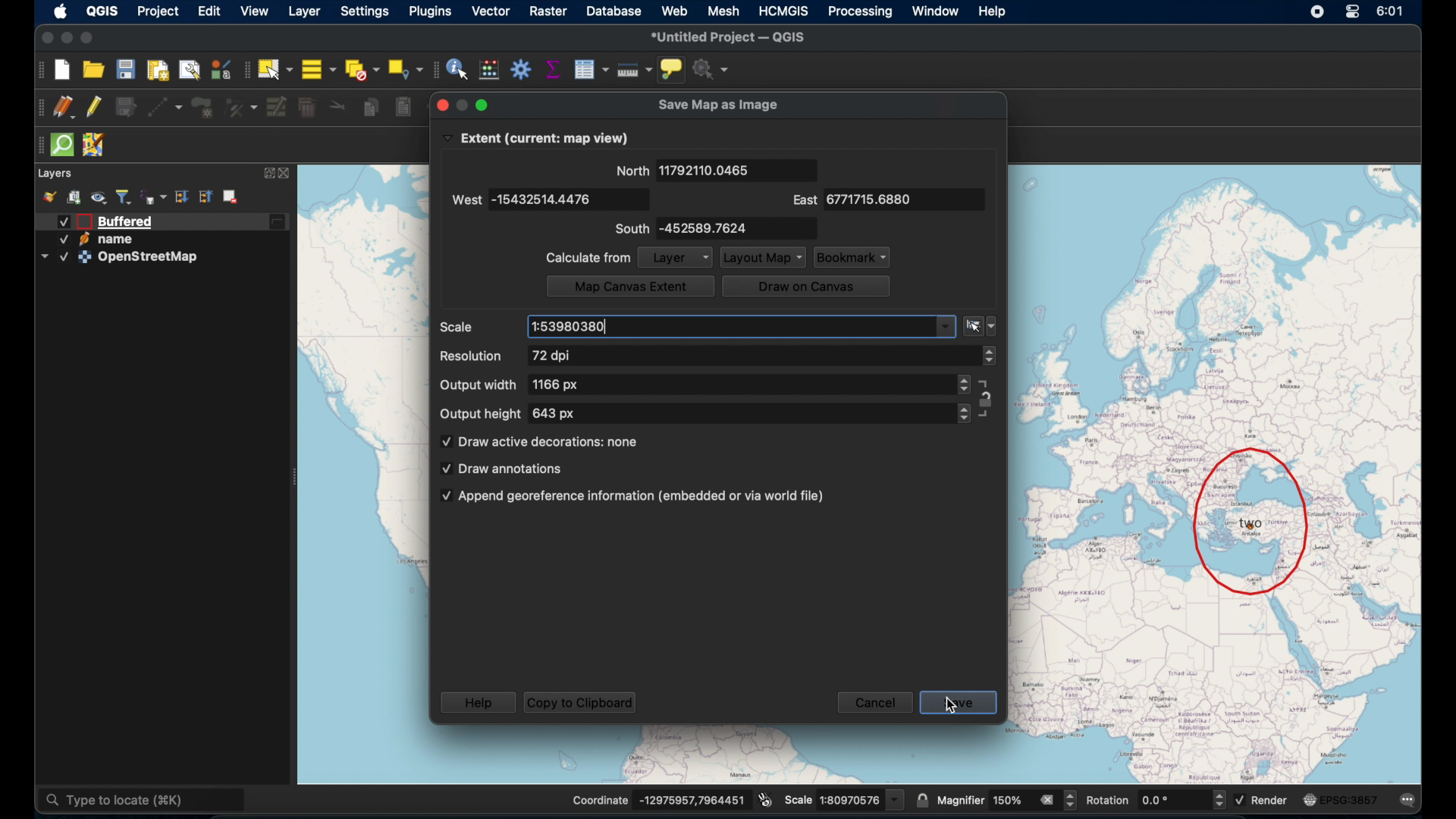 The image size is (1456, 819). What do you see at coordinates (145, 799) in the screenshot?
I see `type to locate` at bounding box center [145, 799].